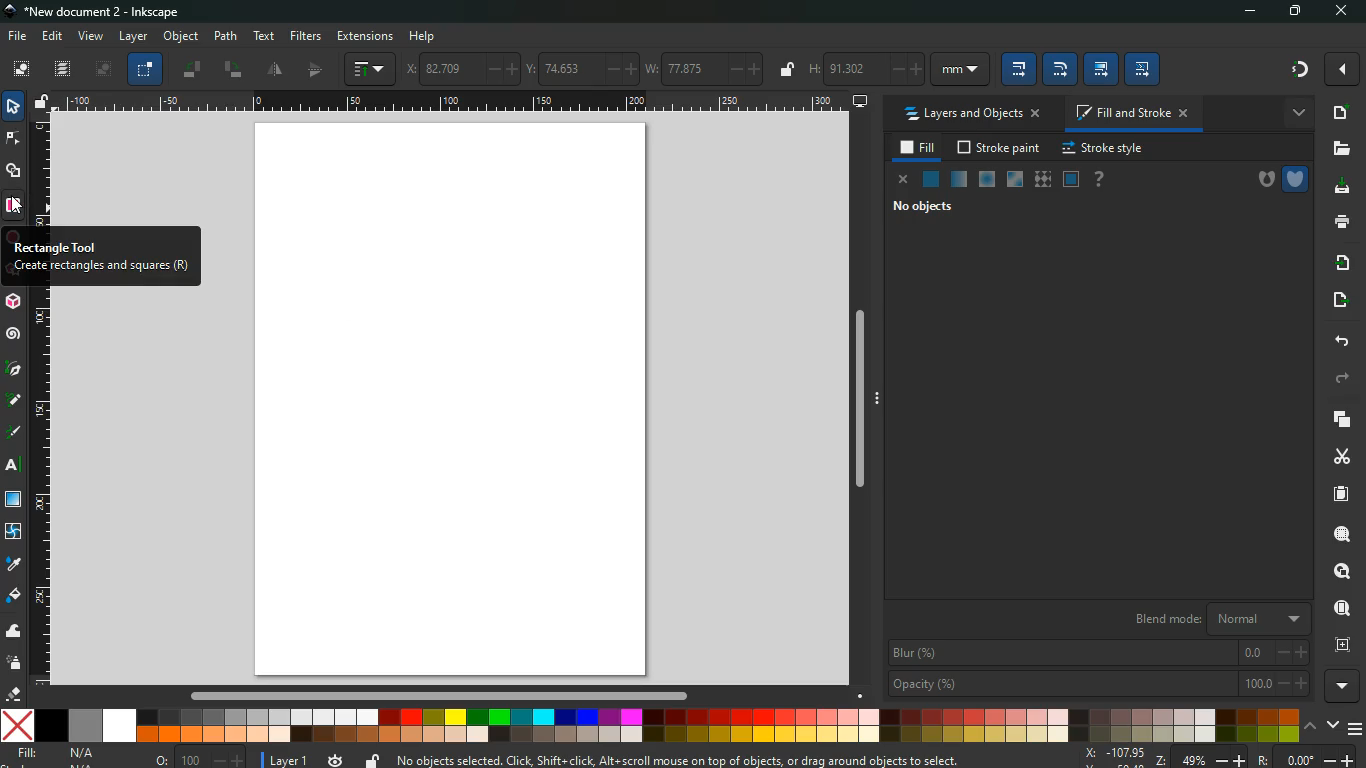  Describe the element at coordinates (1341, 645) in the screenshot. I see `frame` at that location.